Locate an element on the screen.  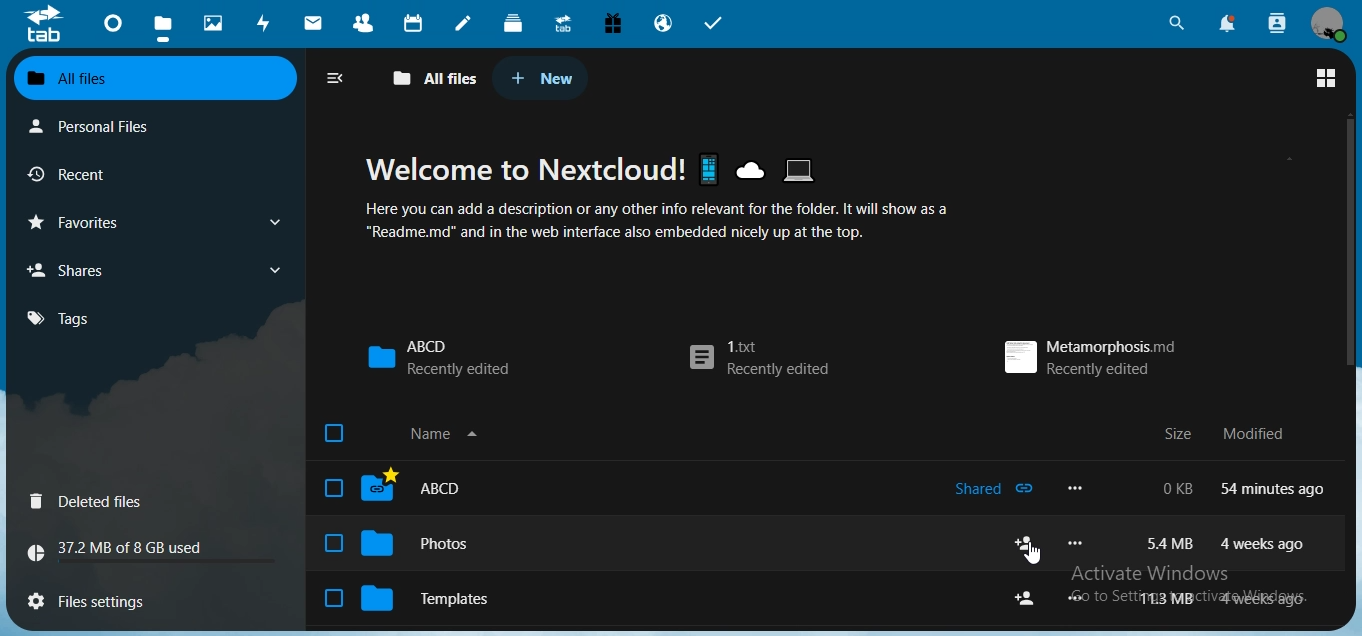
files is located at coordinates (163, 30).